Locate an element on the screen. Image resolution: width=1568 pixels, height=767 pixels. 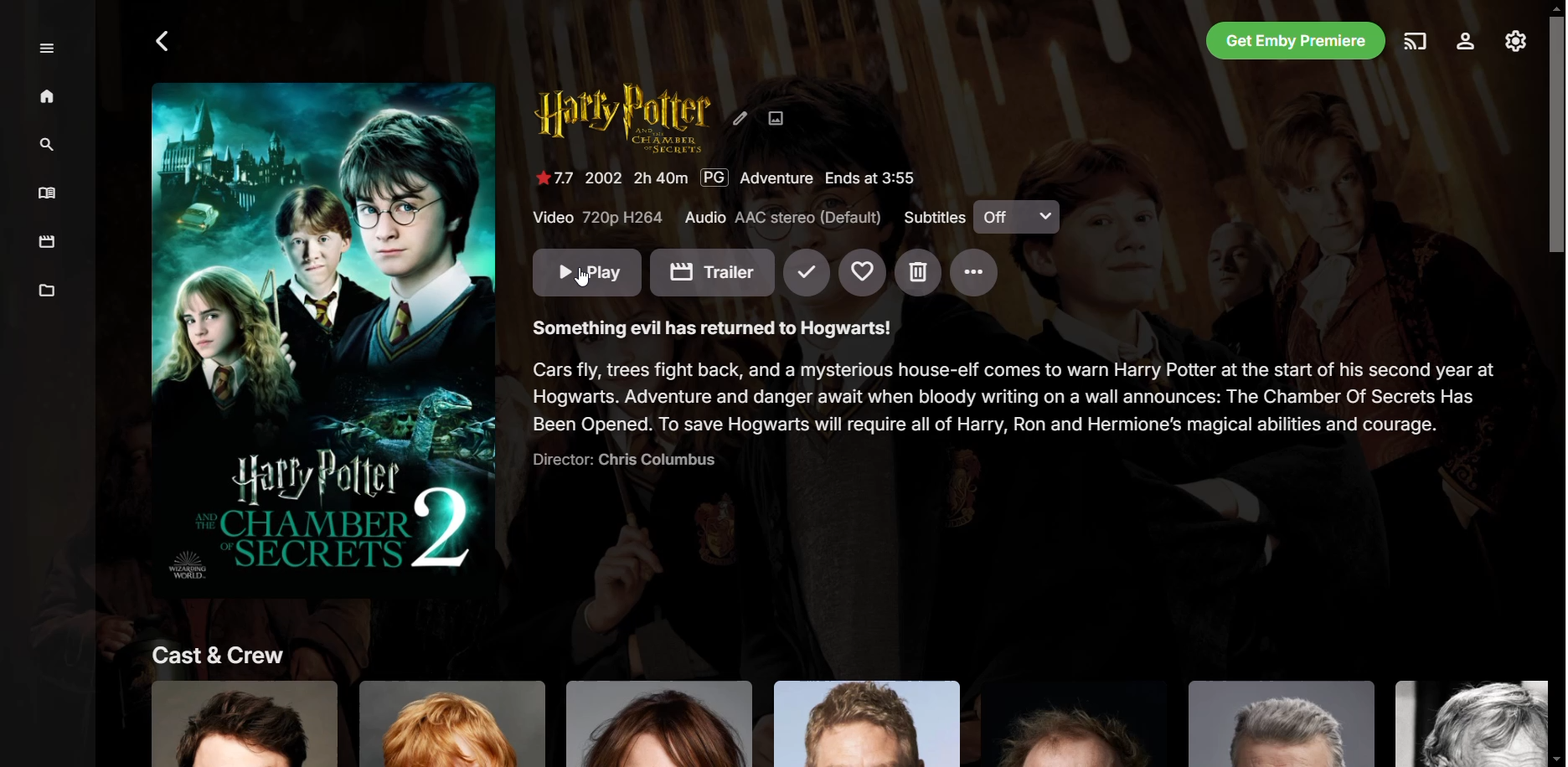
Mark Played is located at coordinates (808, 273).